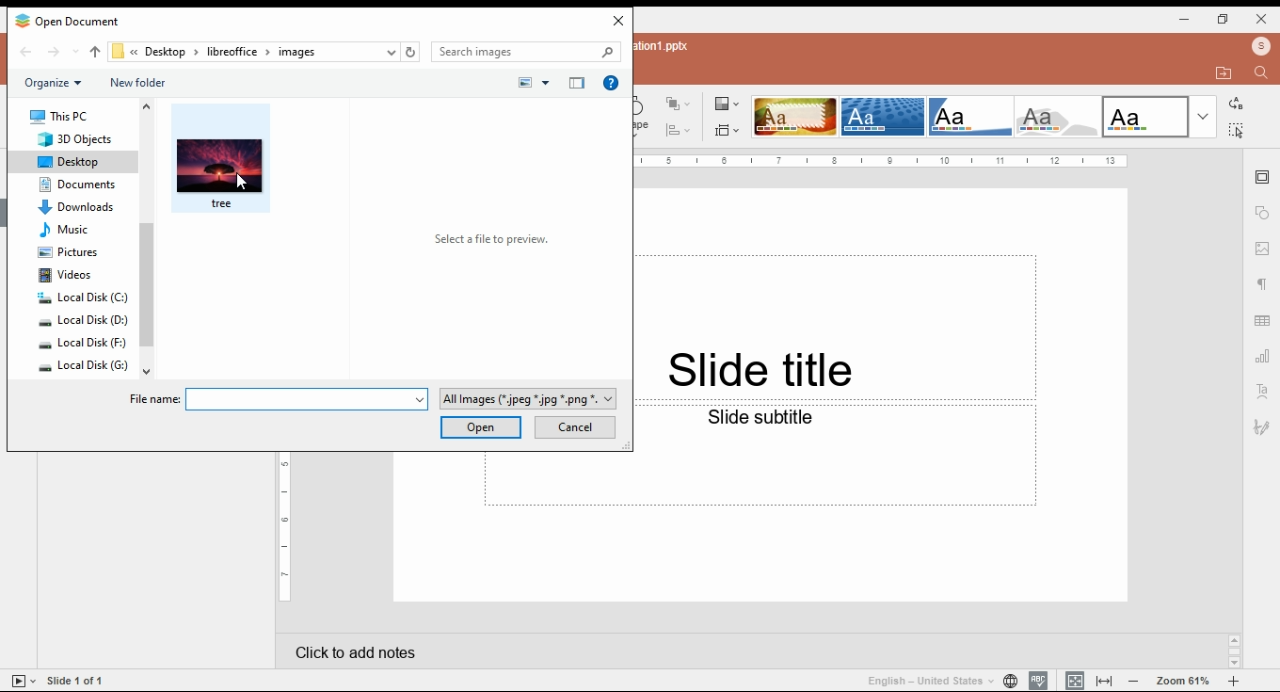  What do you see at coordinates (220, 159) in the screenshot?
I see `image file` at bounding box center [220, 159].